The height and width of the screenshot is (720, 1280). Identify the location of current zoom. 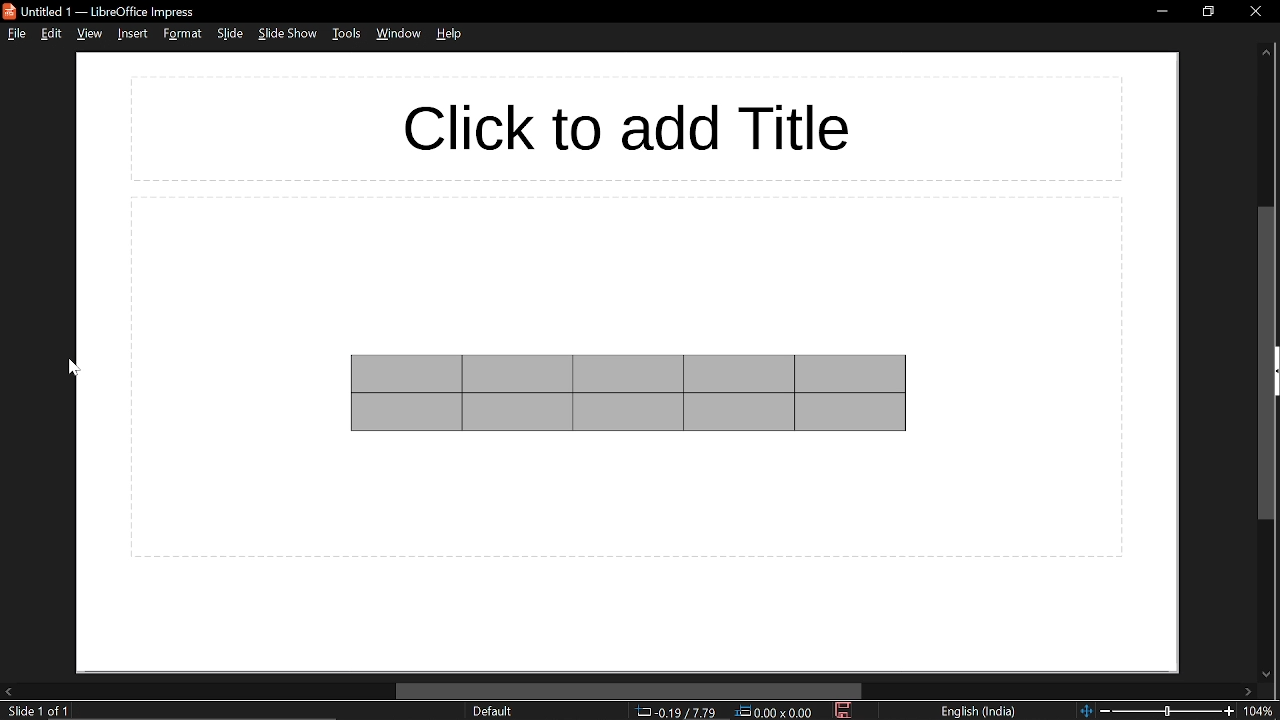
(1263, 710).